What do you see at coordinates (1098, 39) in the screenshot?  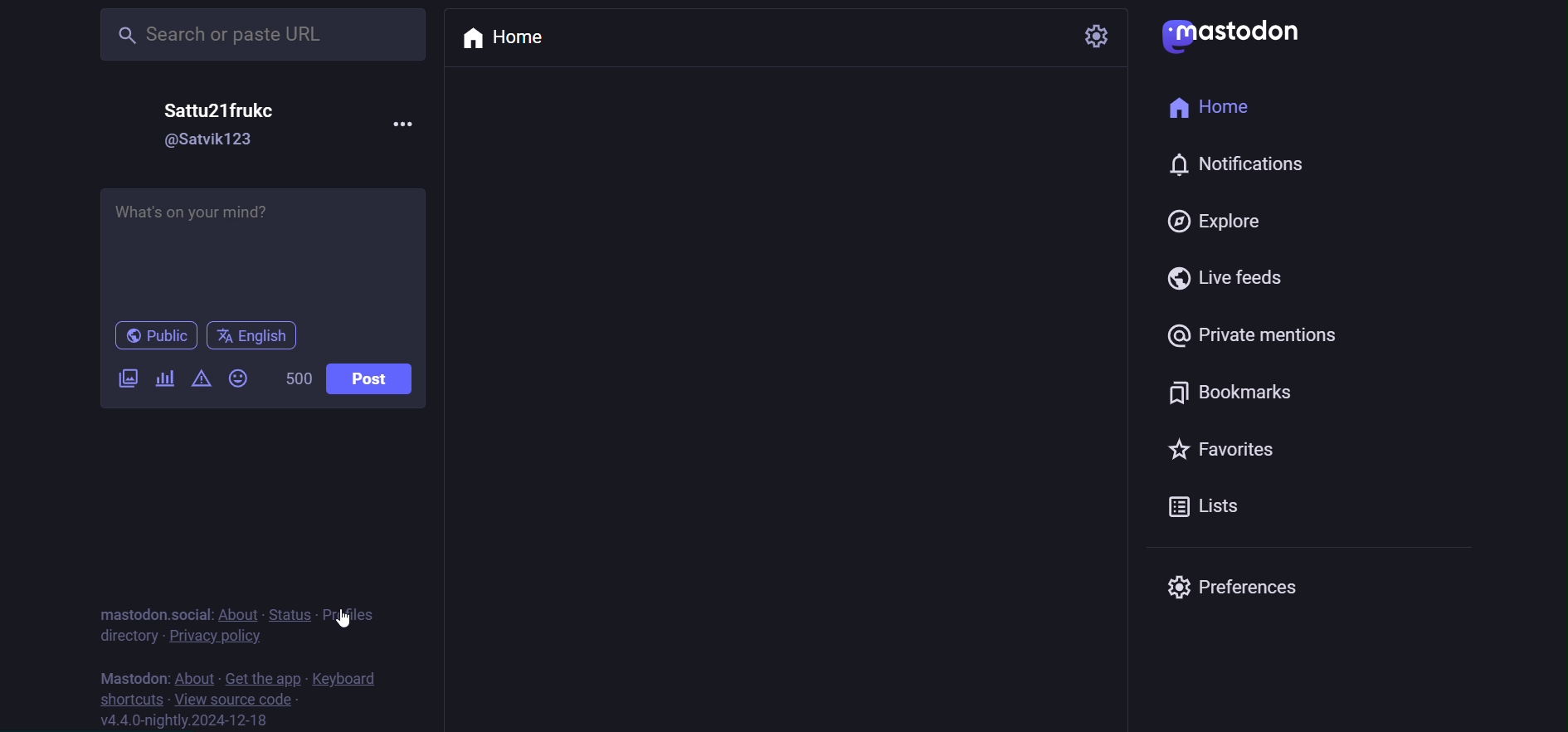 I see `setting` at bounding box center [1098, 39].